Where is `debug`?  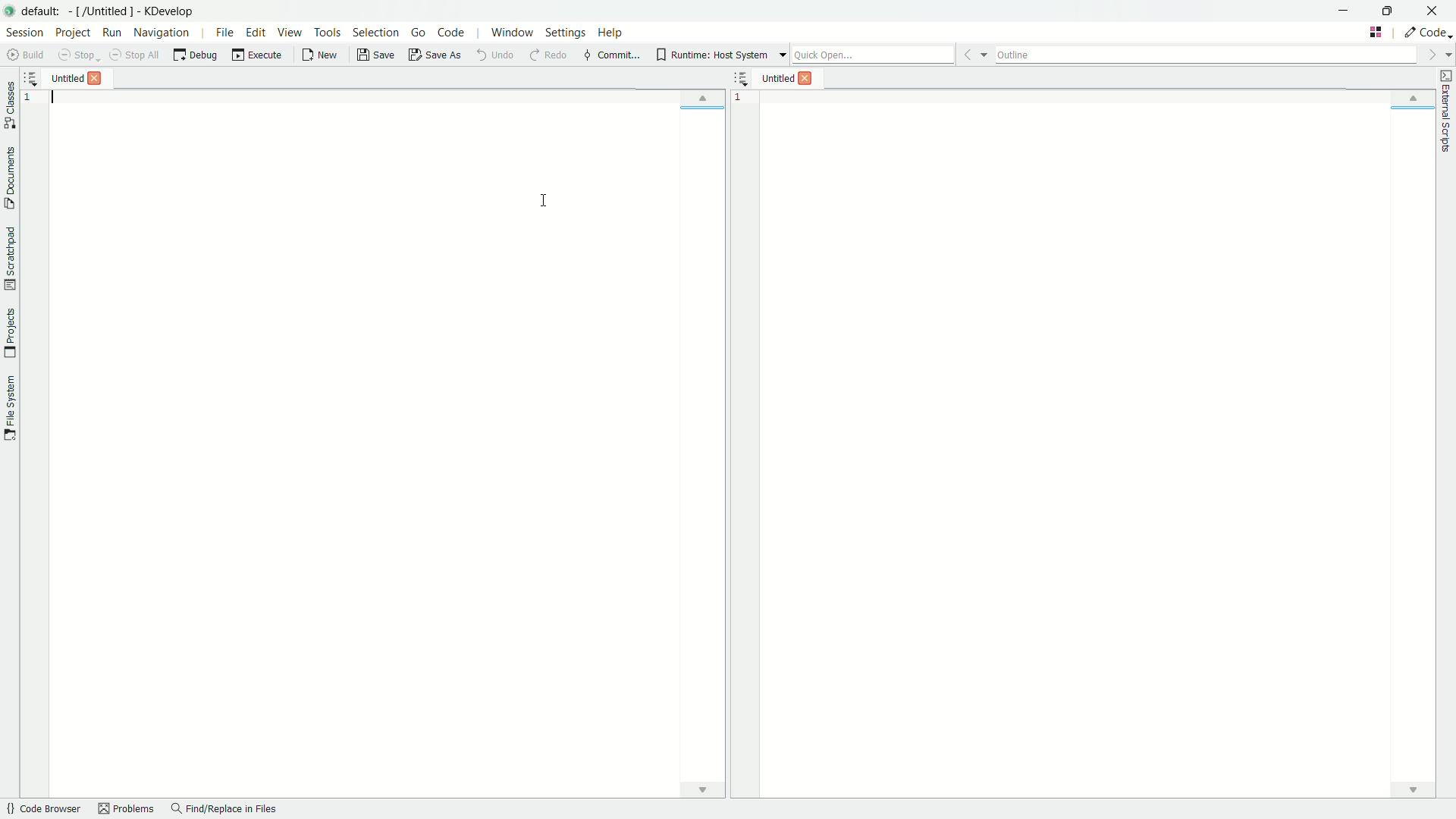 debug is located at coordinates (195, 55).